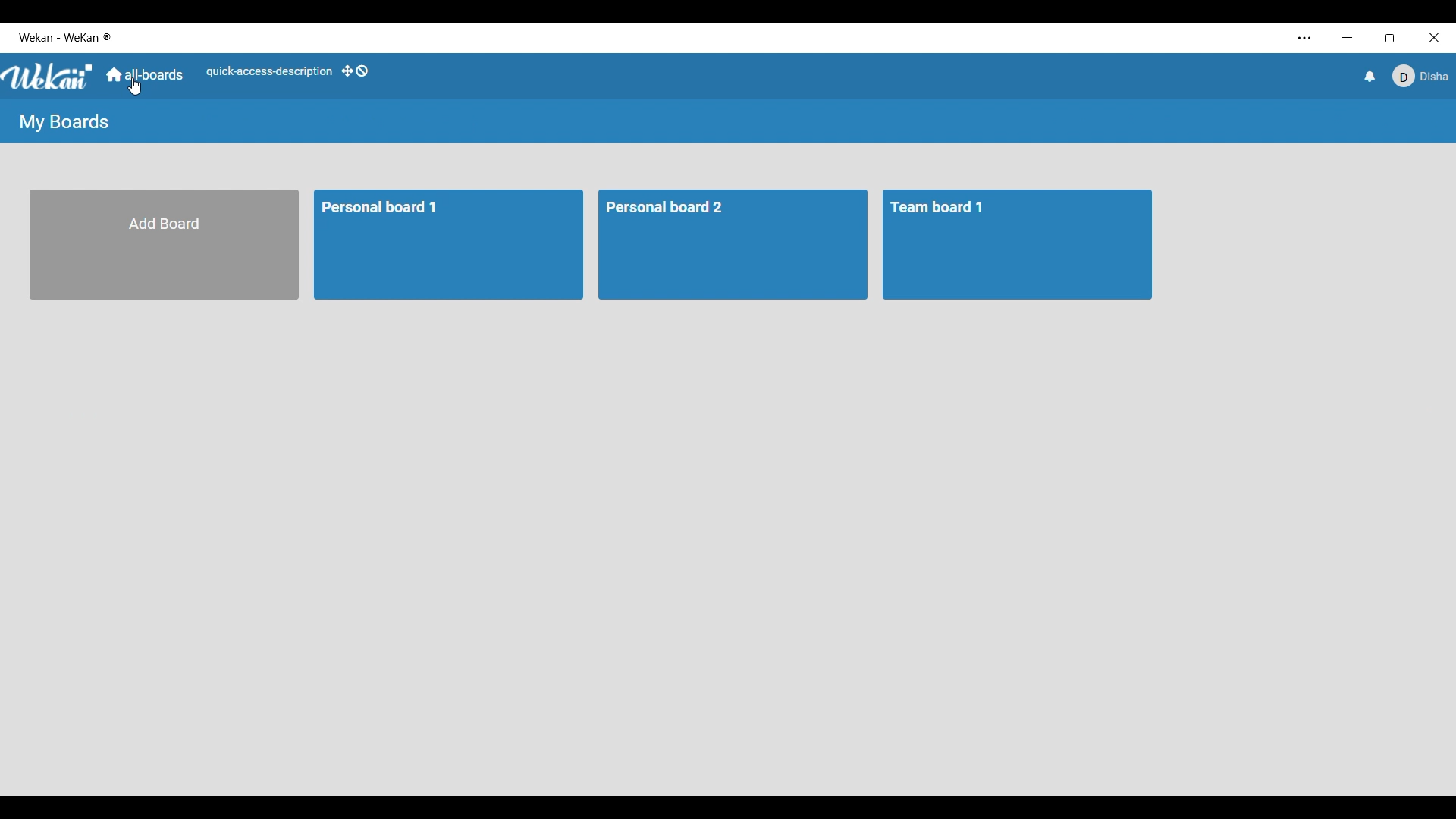 This screenshot has height=819, width=1456. I want to click on Minimize, so click(1348, 37).